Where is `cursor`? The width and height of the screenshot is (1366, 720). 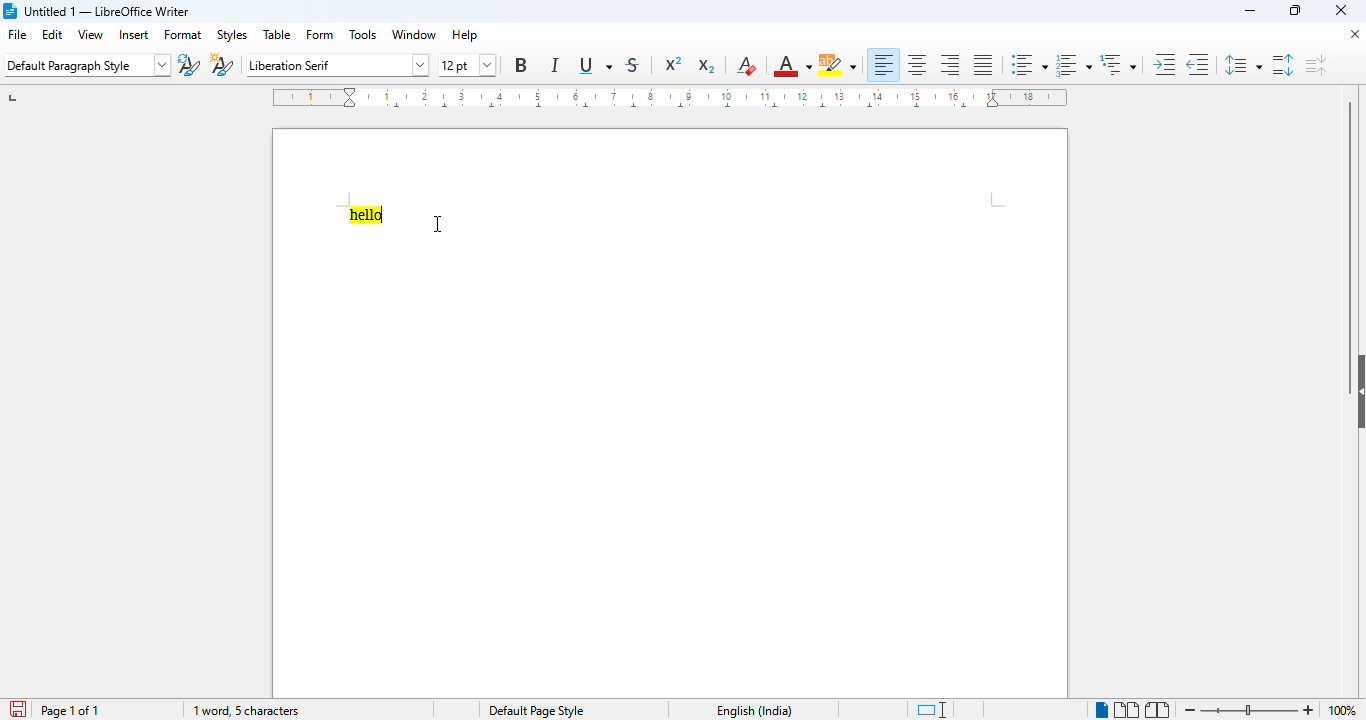 cursor is located at coordinates (436, 223).